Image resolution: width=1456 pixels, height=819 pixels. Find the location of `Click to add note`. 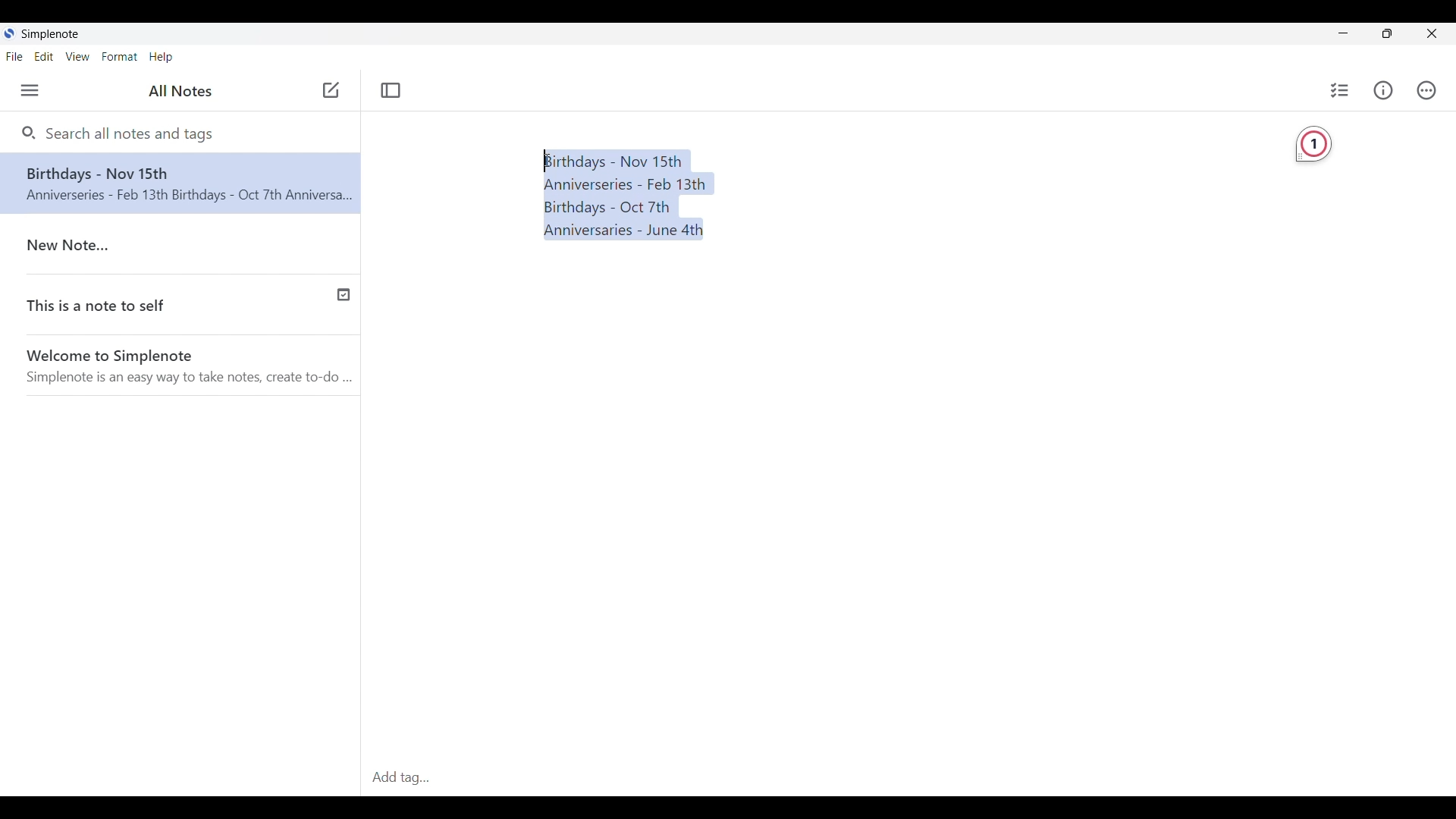

Click to add note is located at coordinates (331, 89).